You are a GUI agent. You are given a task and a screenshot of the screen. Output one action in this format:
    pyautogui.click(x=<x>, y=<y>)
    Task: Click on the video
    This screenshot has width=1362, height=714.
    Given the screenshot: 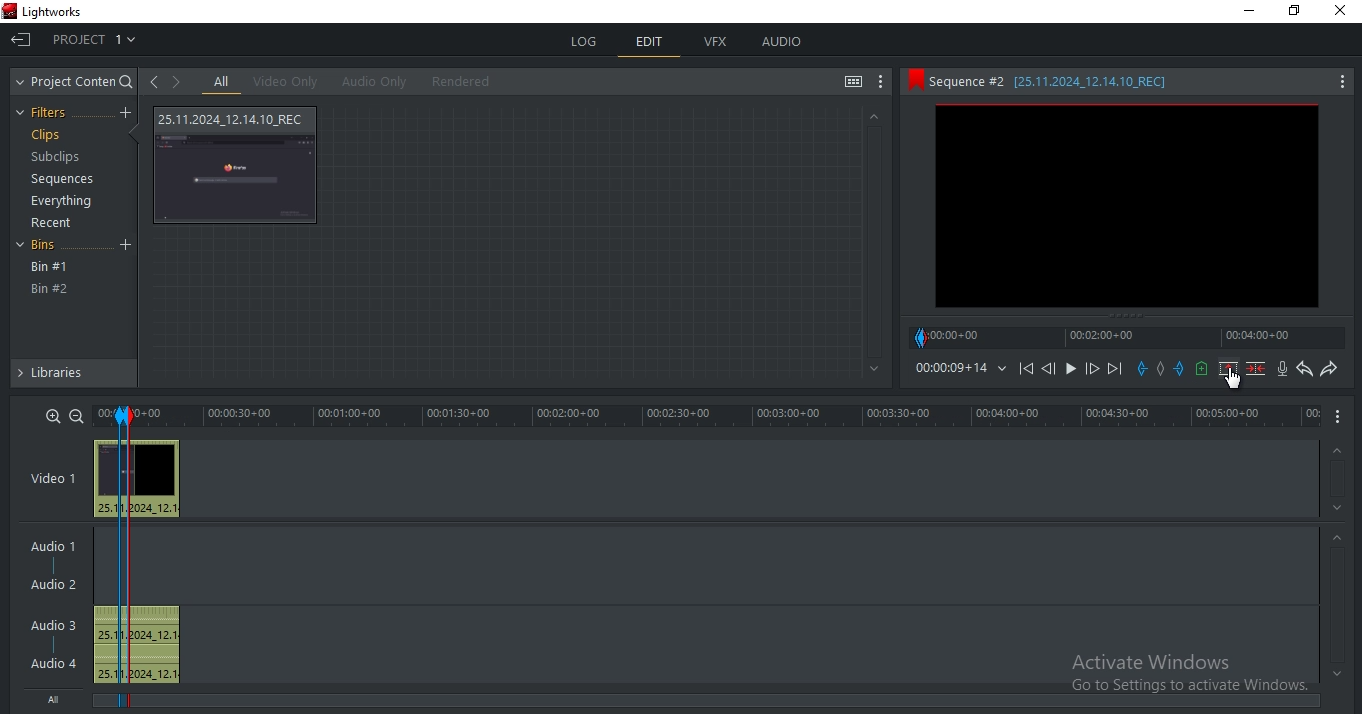 What is the action you would take?
    pyautogui.click(x=138, y=479)
    